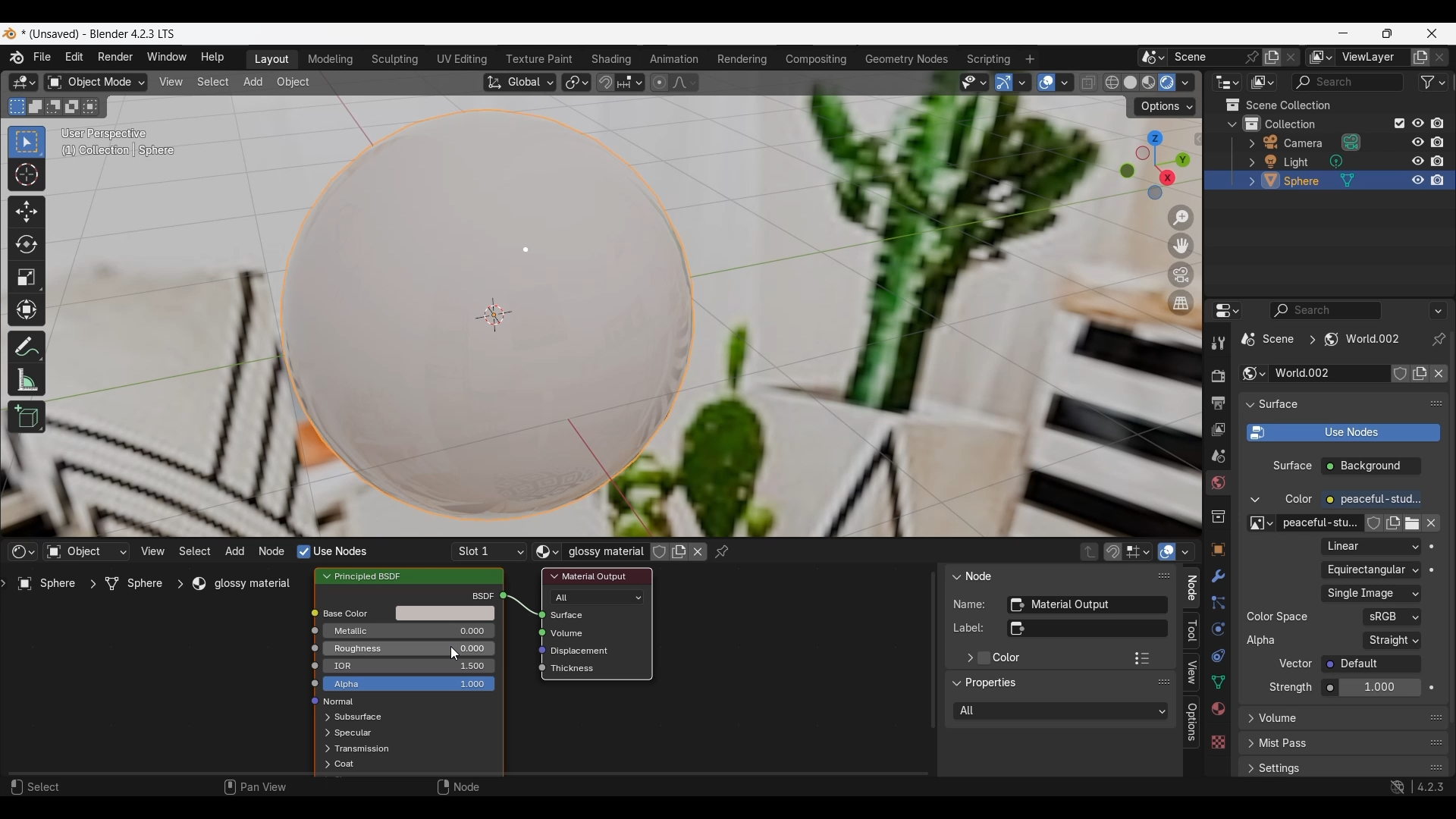 This screenshot has width=1456, height=819. I want to click on Pinned node tree, so click(721, 552).